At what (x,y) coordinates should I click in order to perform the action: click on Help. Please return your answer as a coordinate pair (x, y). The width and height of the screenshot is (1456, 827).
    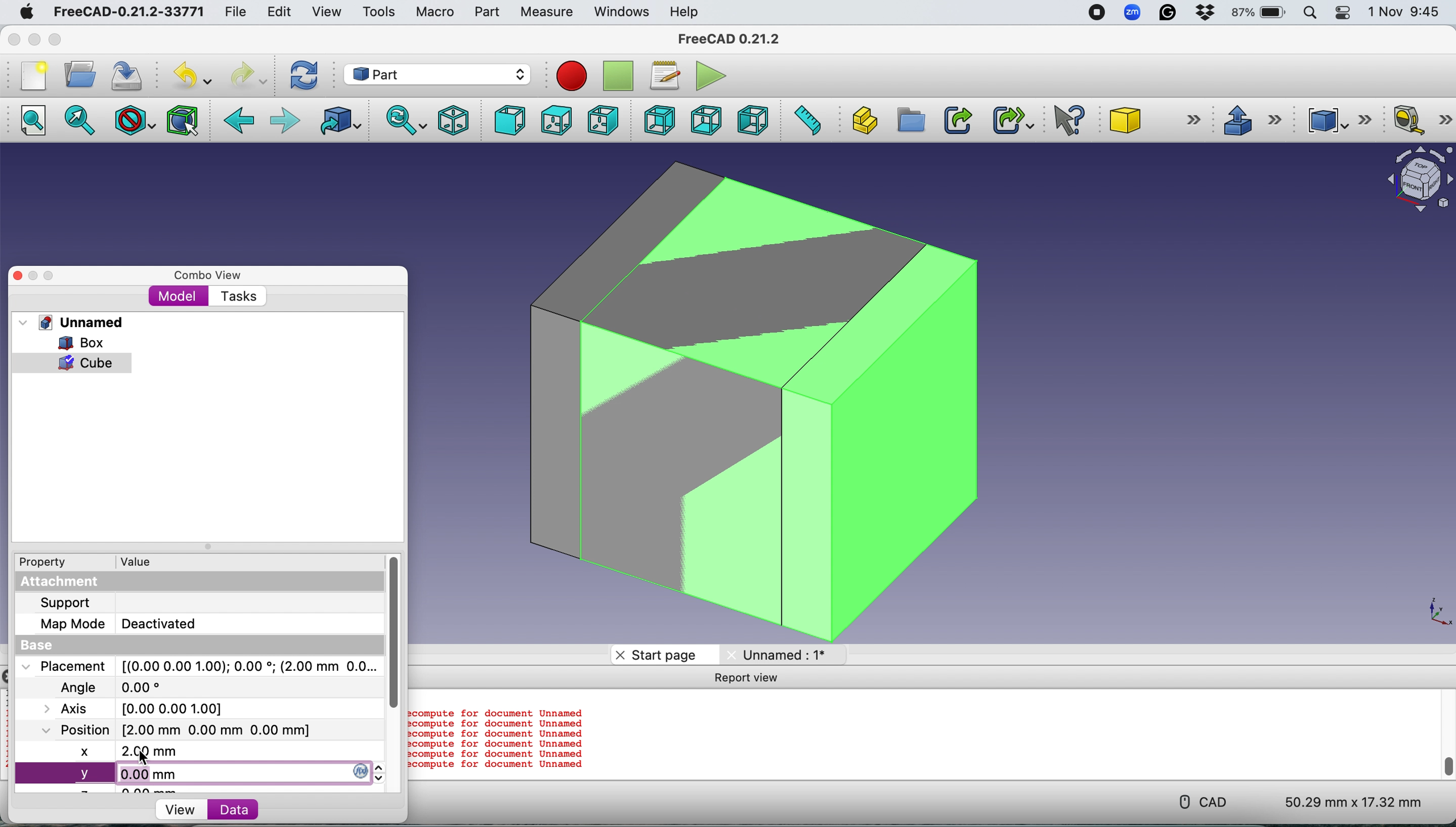
    Looking at the image, I should click on (685, 11).